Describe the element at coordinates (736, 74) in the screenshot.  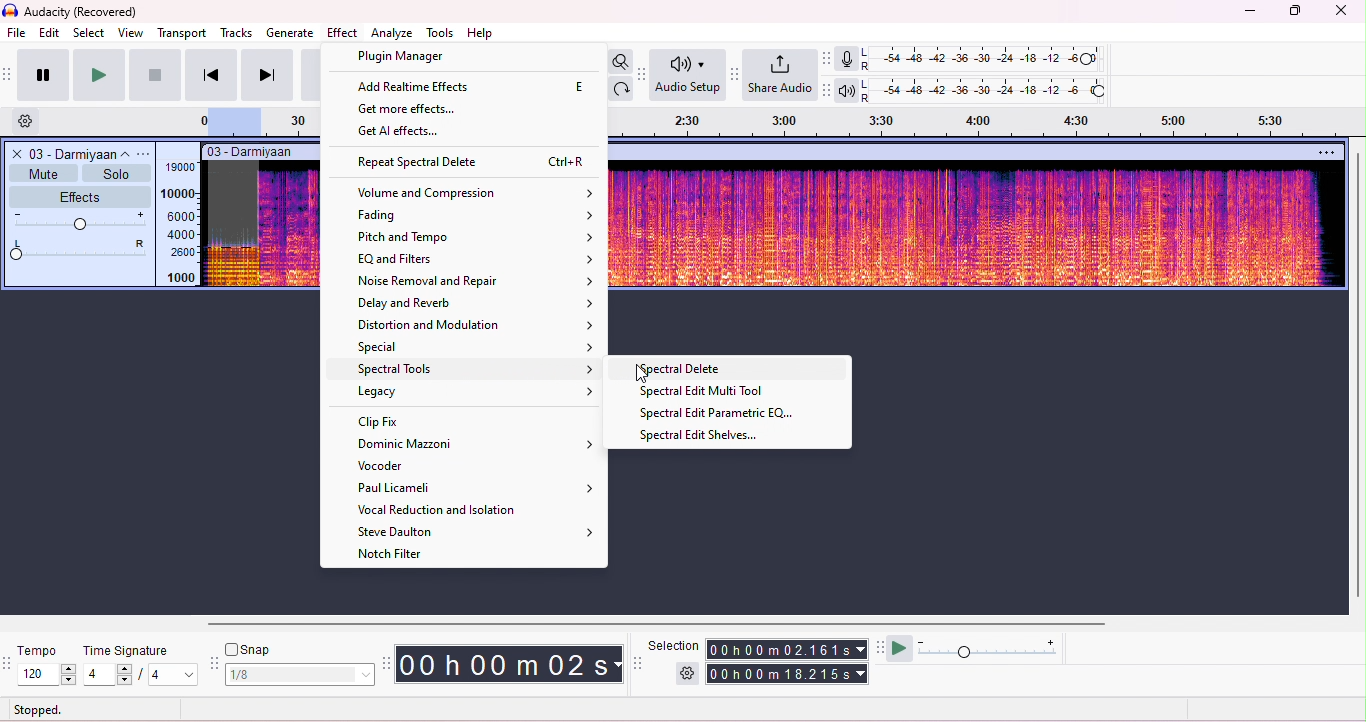
I see `share audio tool bar` at that location.